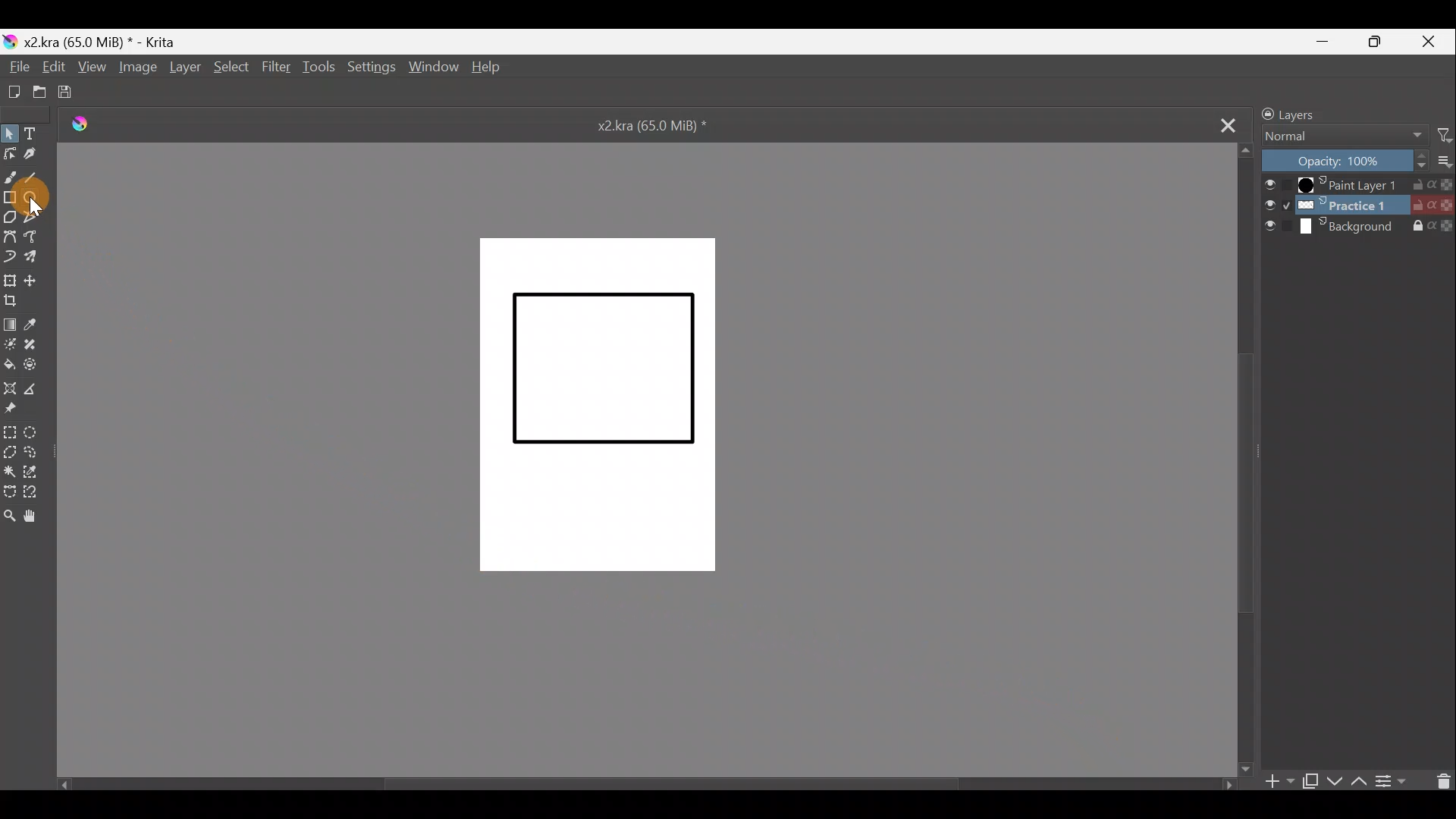 This screenshot has width=1456, height=819. Describe the element at coordinates (9, 40) in the screenshot. I see `Krita logo` at that location.